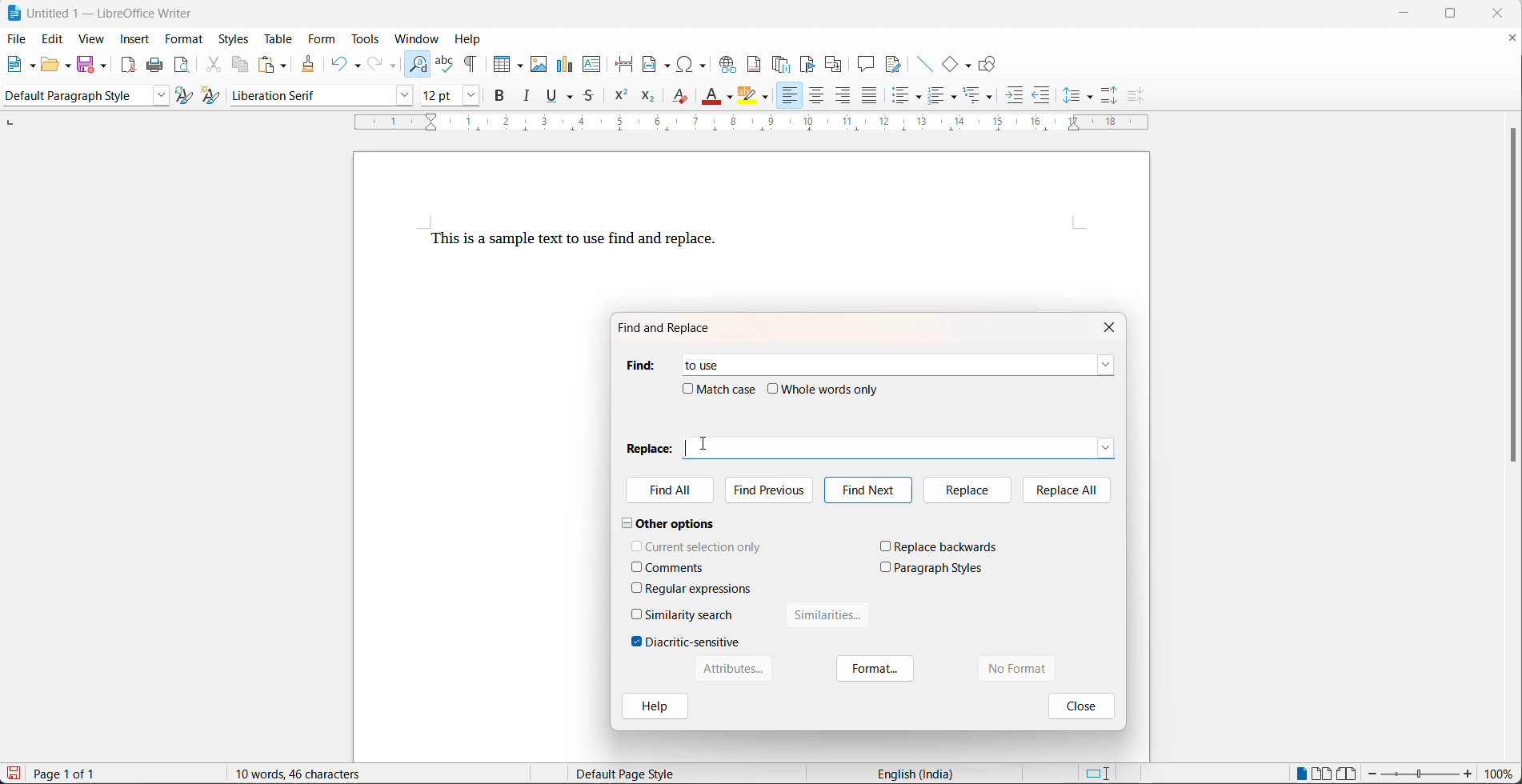 The height and width of the screenshot is (784, 1522). What do you see at coordinates (1512, 41) in the screenshot?
I see `close document` at bounding box center [1512, 41].